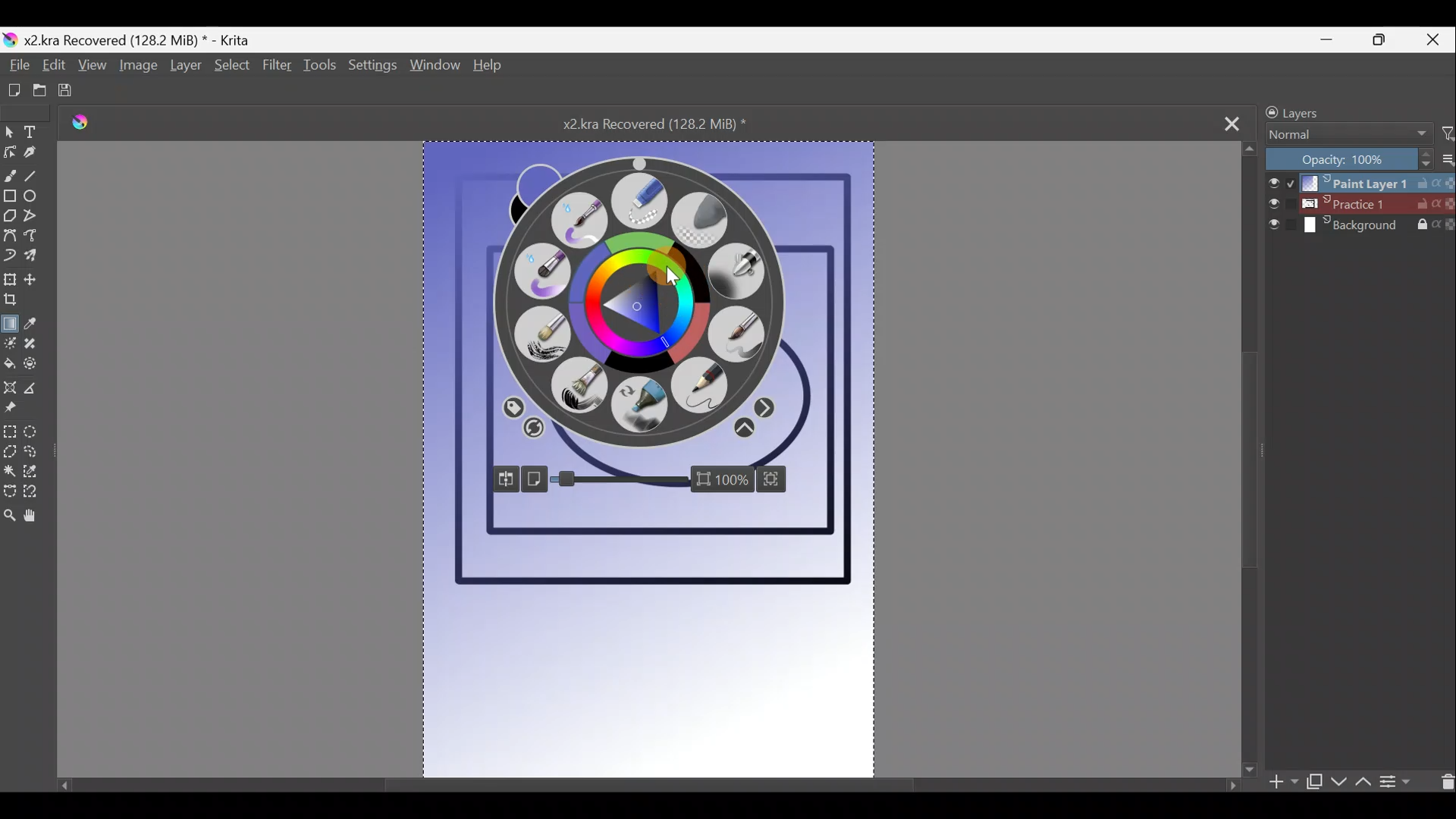 The image size is (1456, 819). What do you see at coordinates (1402, 780) in the screenshot?
I see `View/change layer properties` at bounding box center [1402, 780].